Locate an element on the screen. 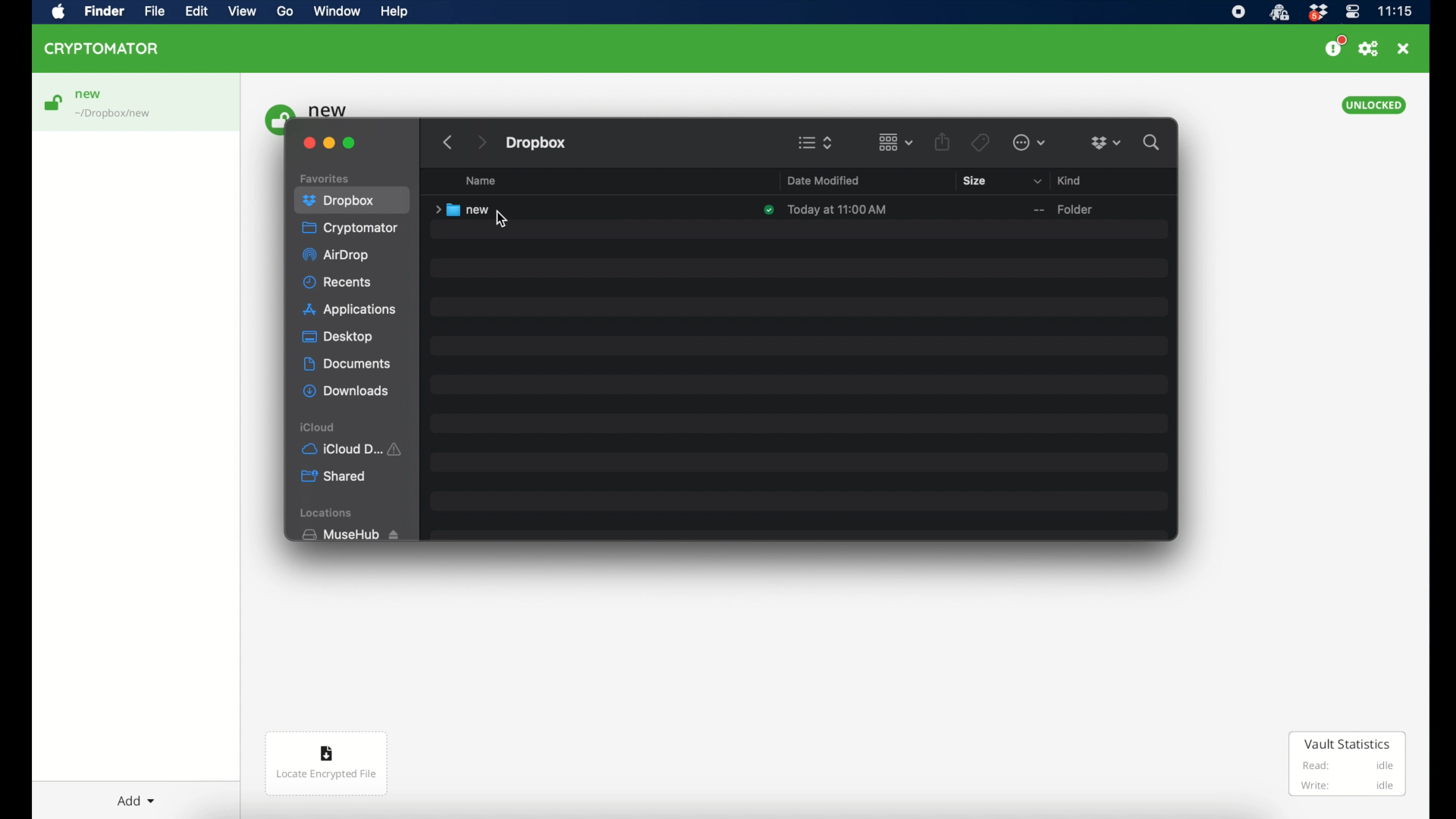  desktop is located at coordinates (337, 337).